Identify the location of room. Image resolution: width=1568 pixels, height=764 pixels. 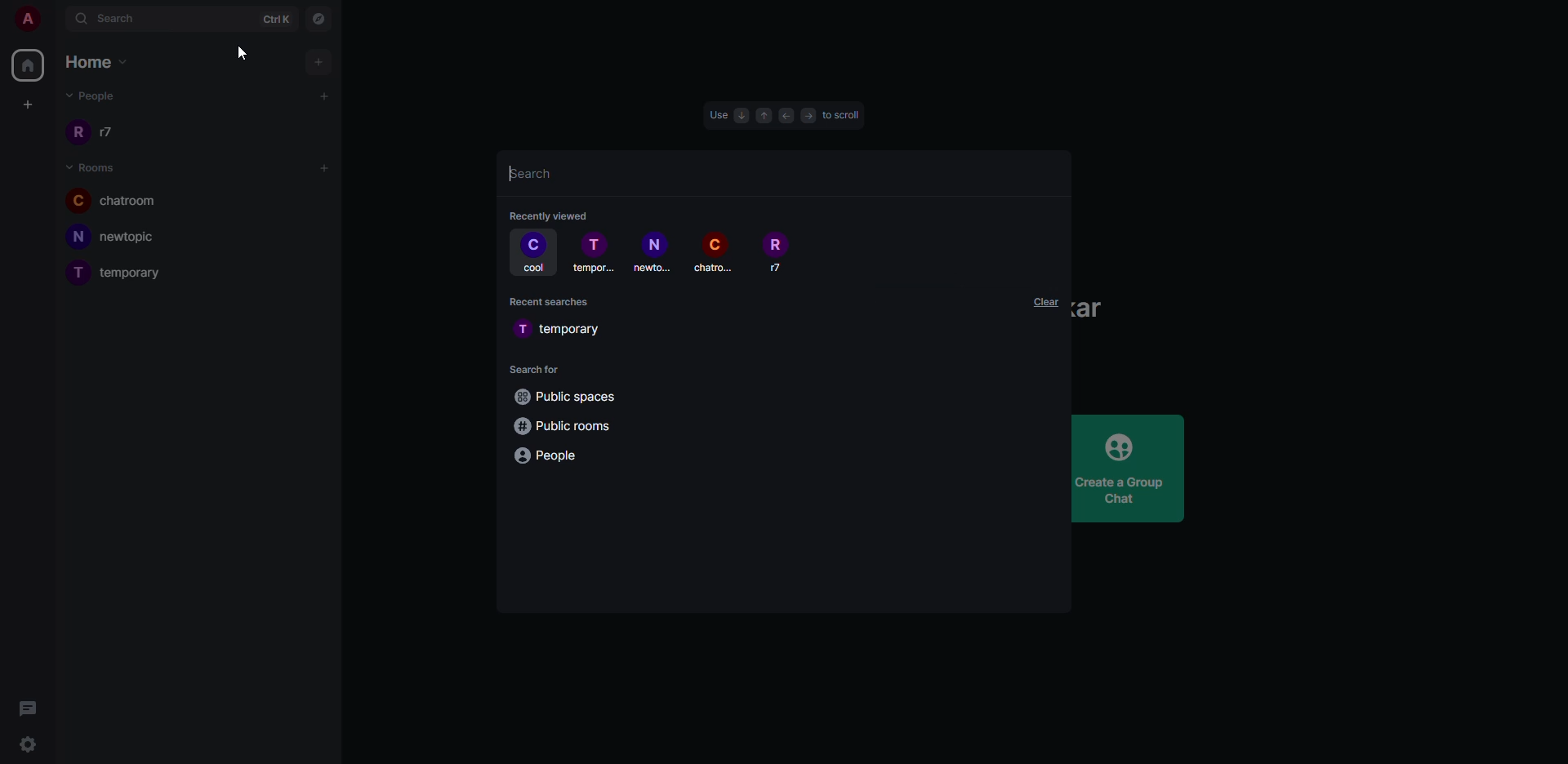
(120, 273).